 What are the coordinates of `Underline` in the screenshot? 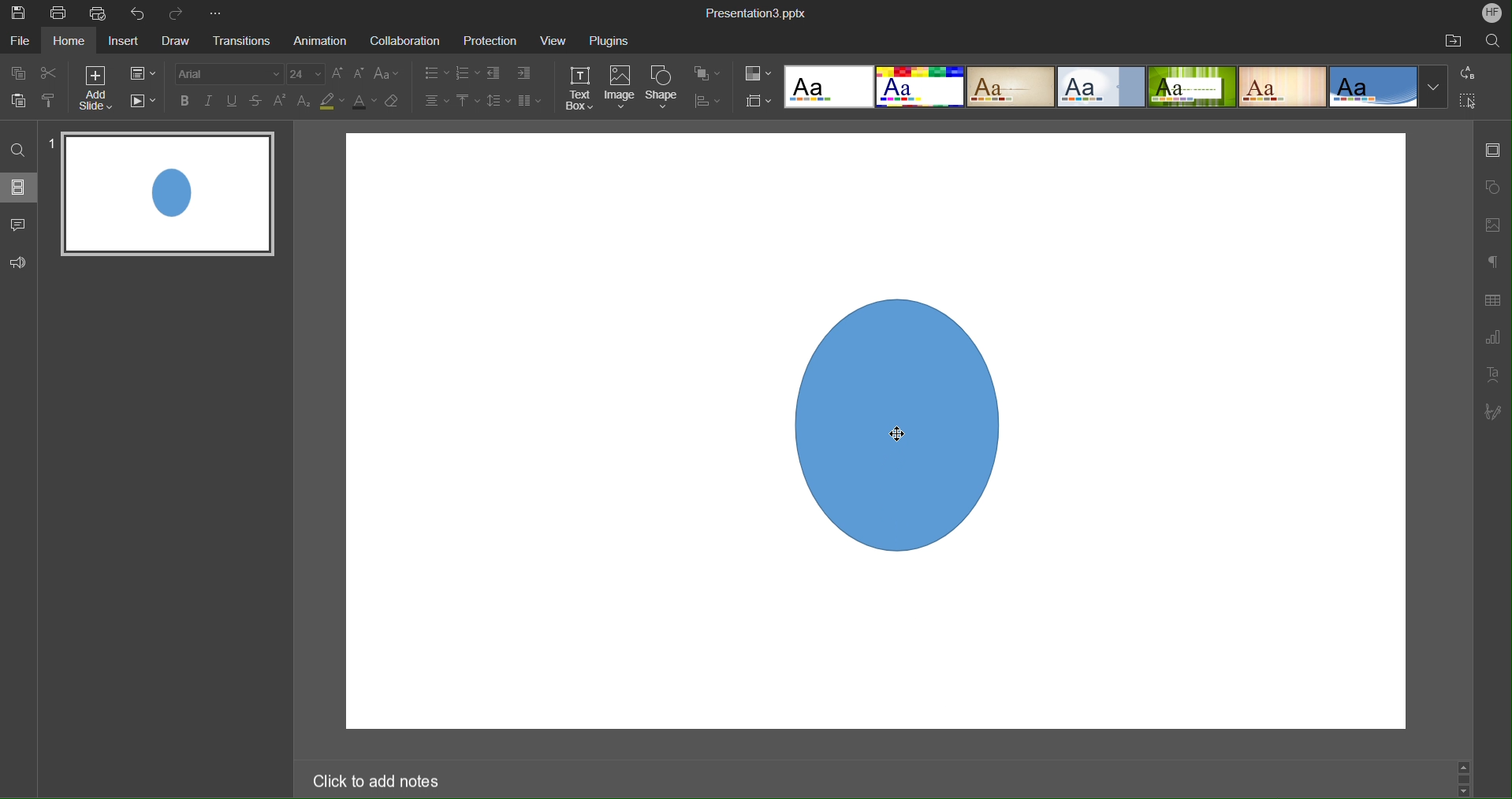 It's located at (233, 103).